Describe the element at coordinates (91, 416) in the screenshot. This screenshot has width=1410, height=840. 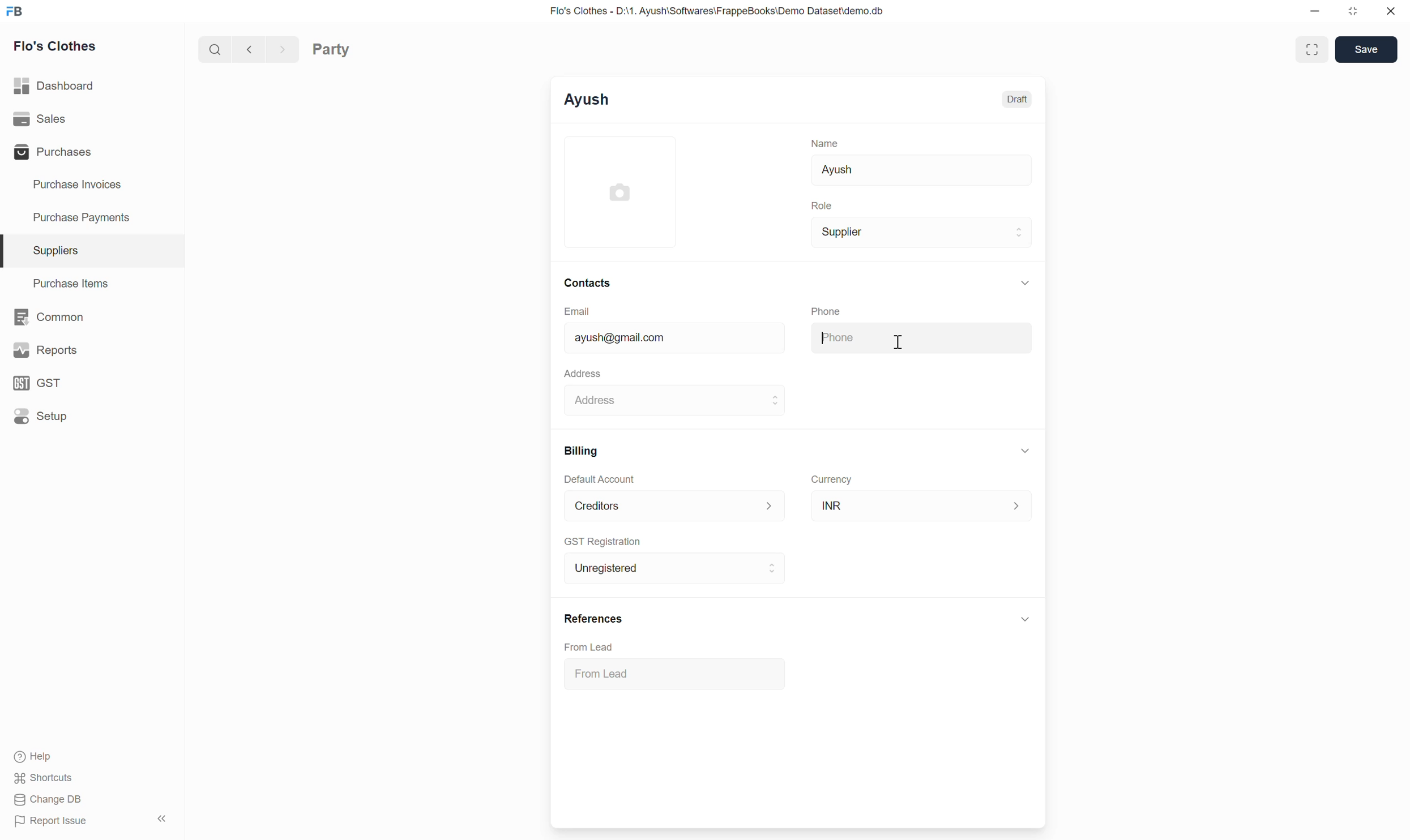
I see `Setup` at that location.